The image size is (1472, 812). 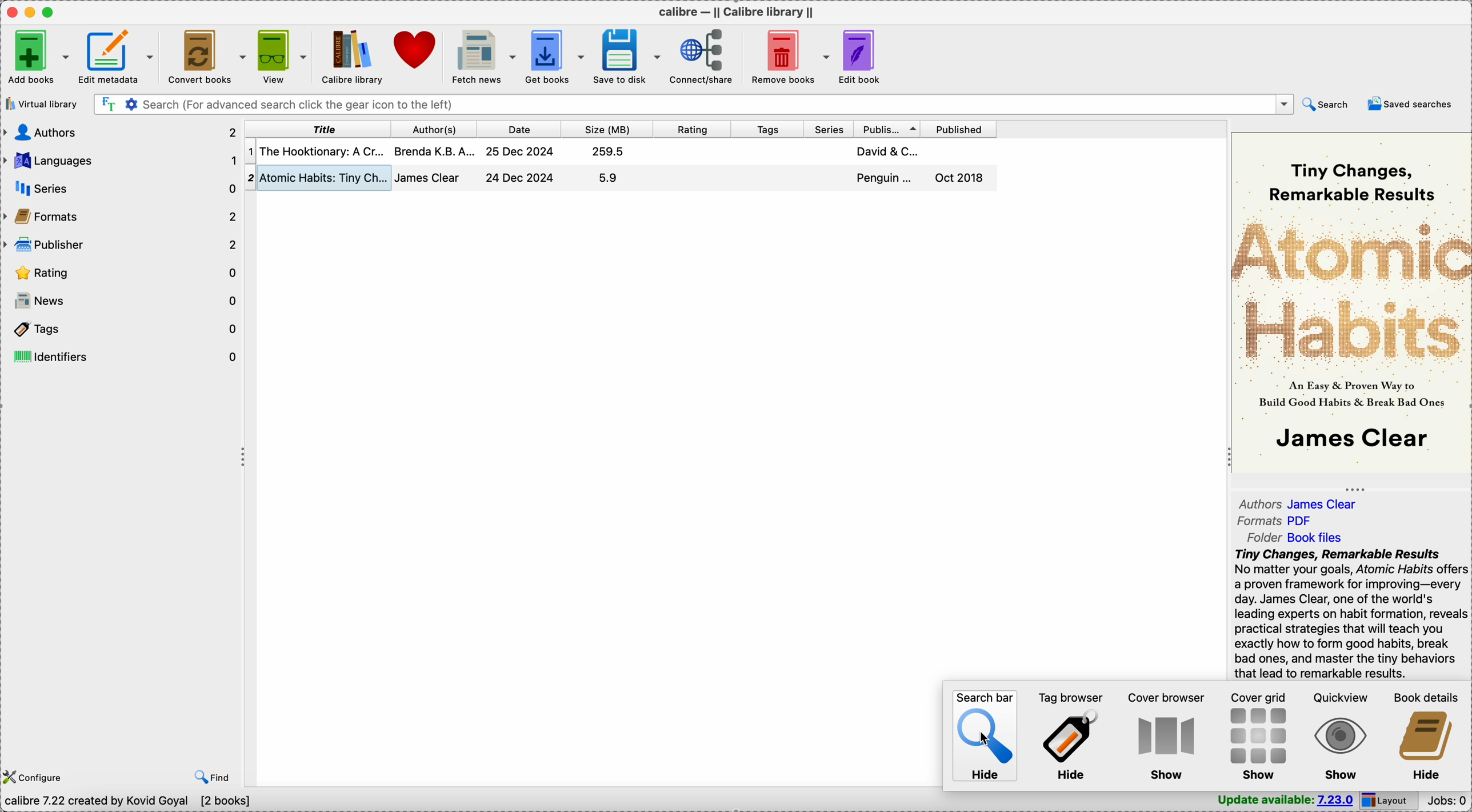 What do you see at coordinates (1352, 437) in the screenshot?
I see `james clear` at bounding box center [1352, 437].